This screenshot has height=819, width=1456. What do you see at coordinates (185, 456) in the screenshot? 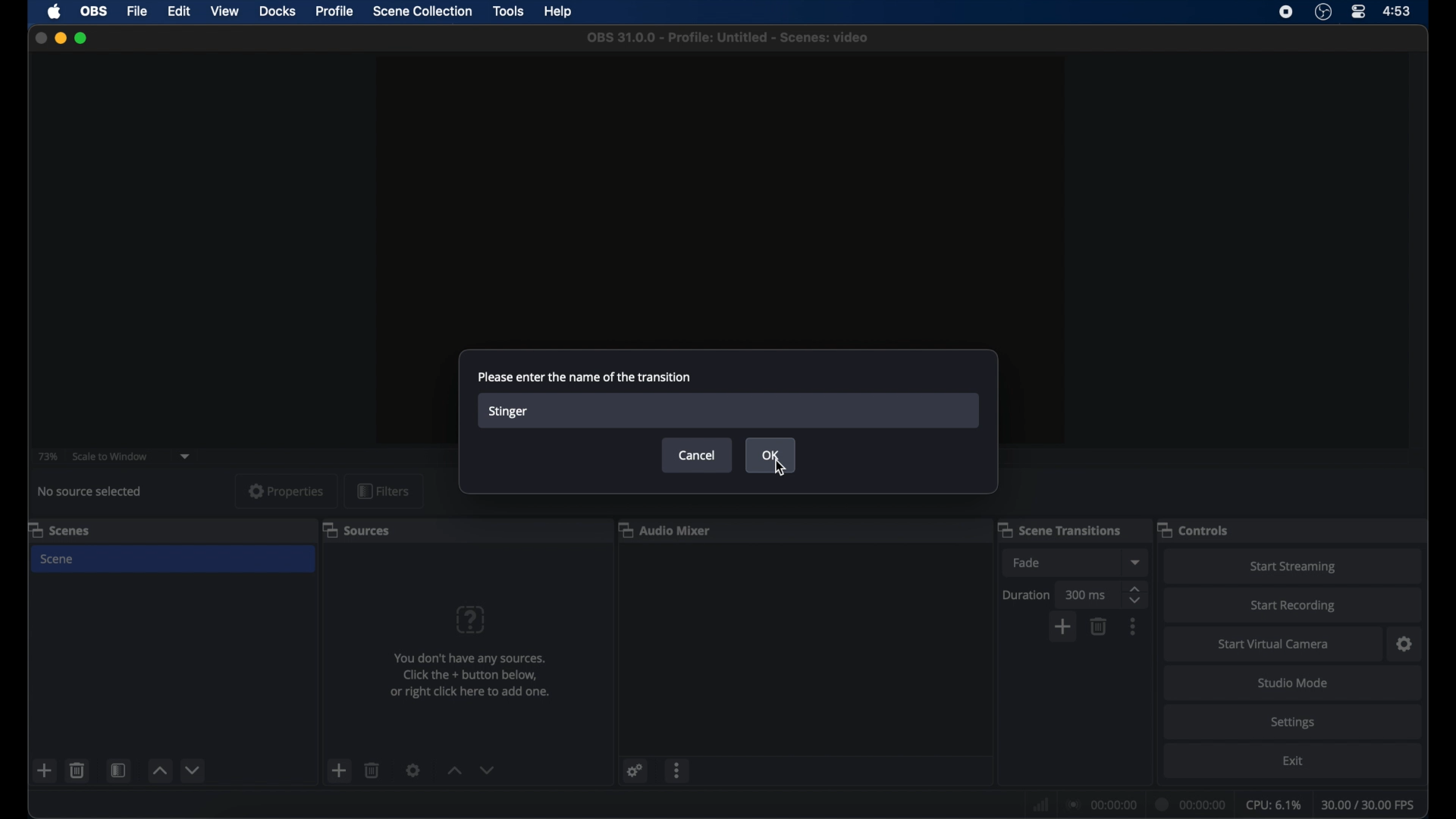
I see `dropdown` at bounding box center [185, 456].